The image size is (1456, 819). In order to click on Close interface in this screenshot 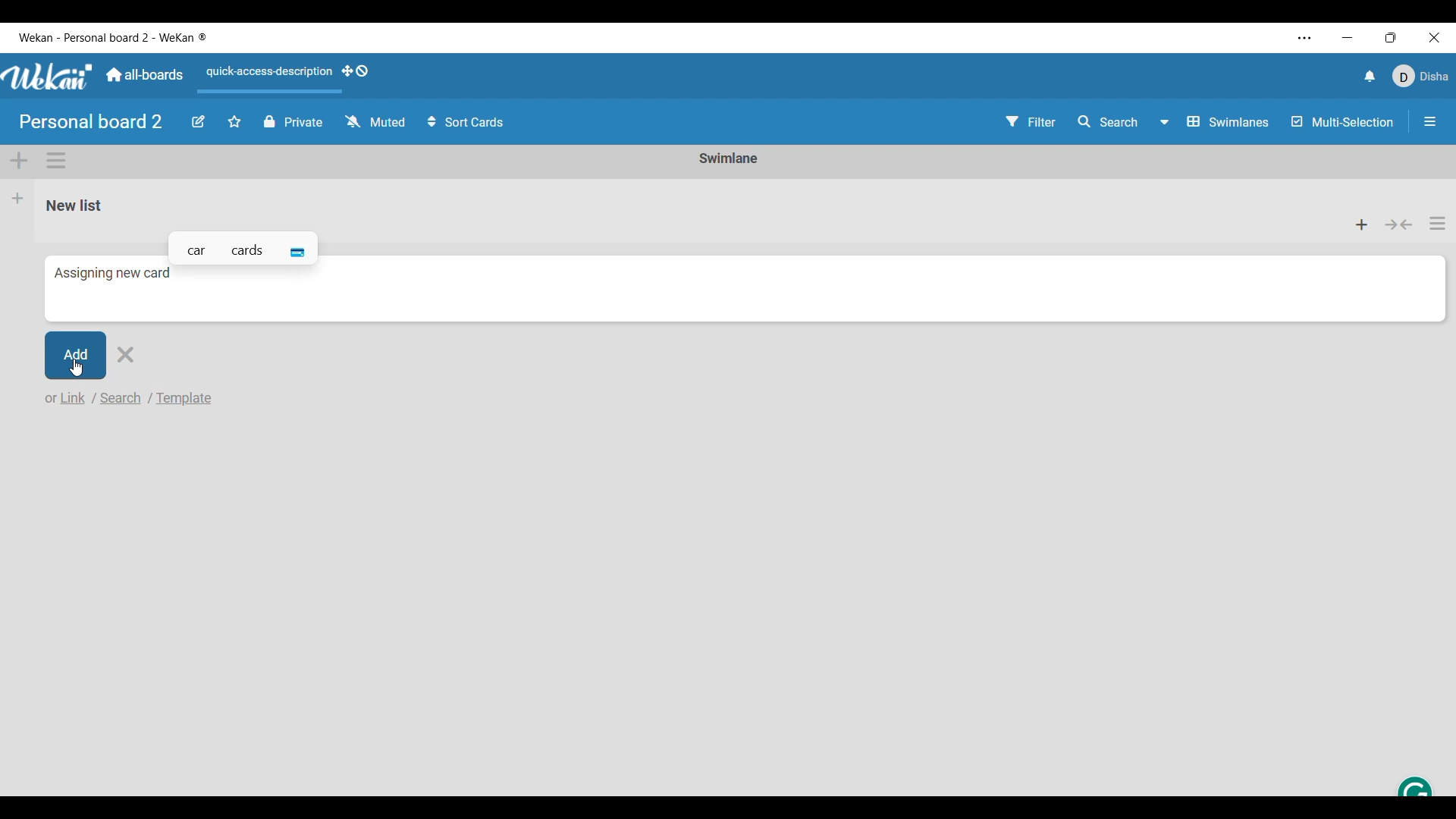, I will do `click(1434, 37)`.